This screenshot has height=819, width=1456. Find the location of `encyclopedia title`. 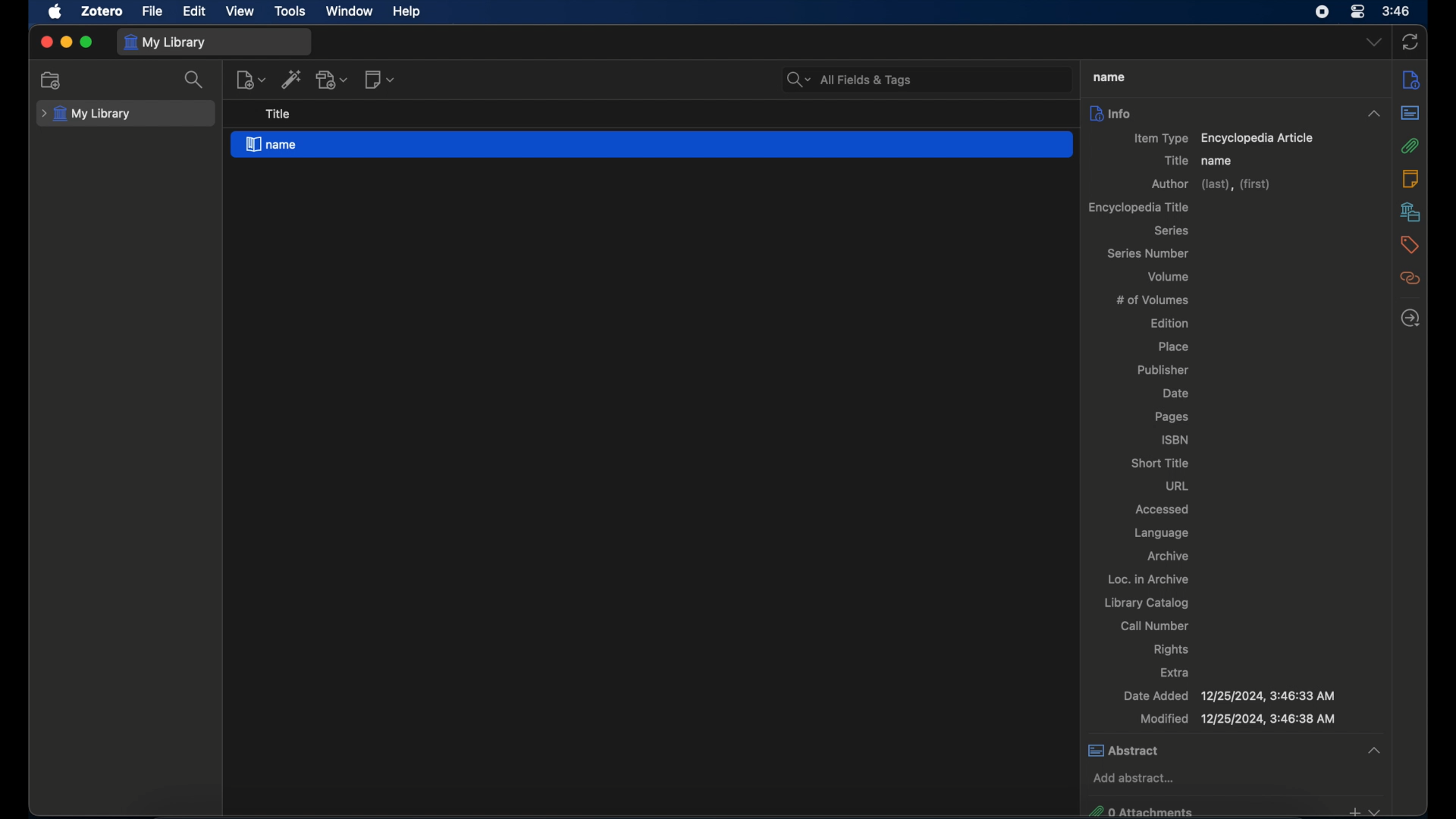

encyclopedia title is located at coordinates (1139, 207).